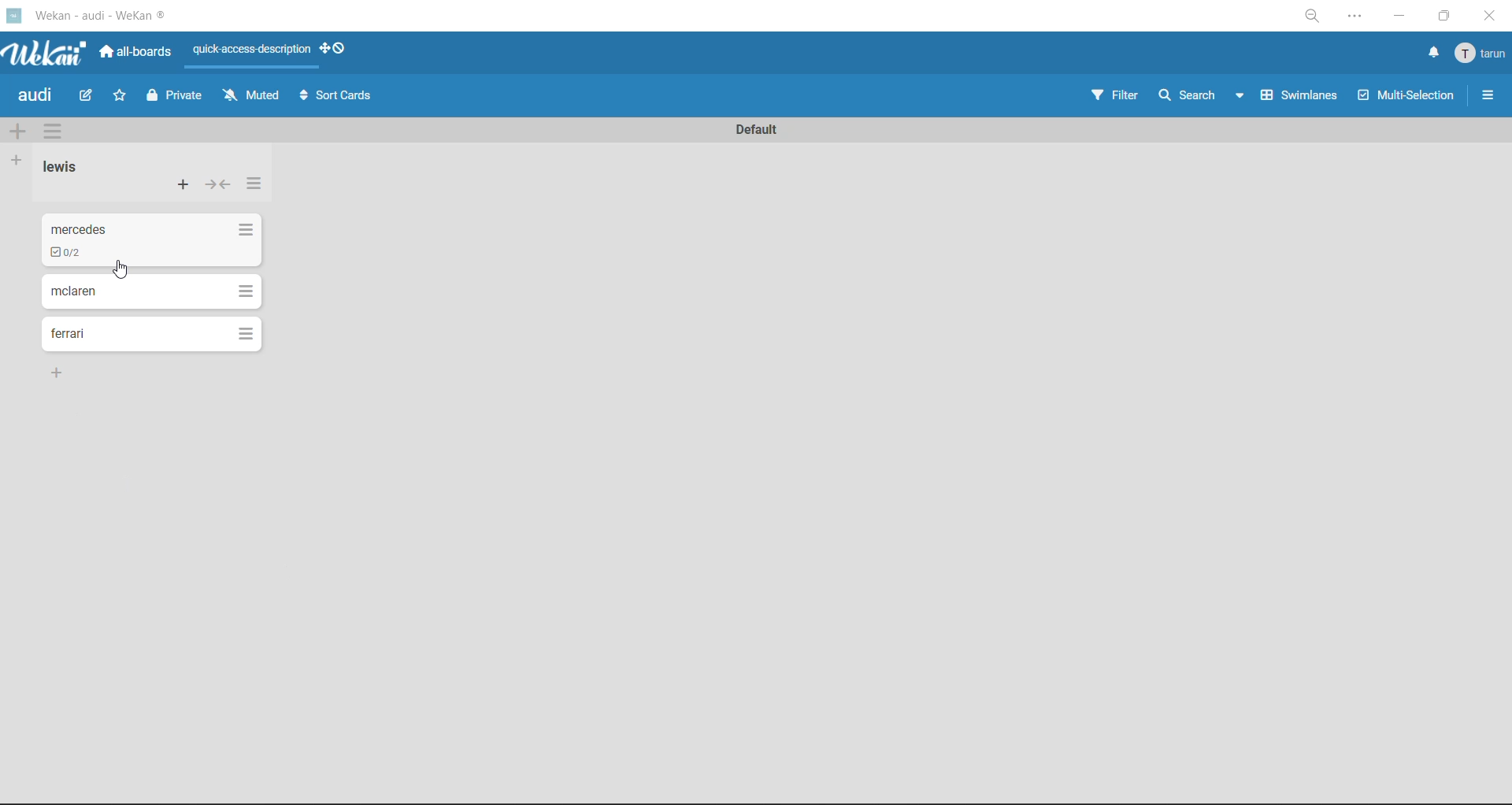 This screenshot has width=1512, height=805. I want to click on muted, so click(250, 95).